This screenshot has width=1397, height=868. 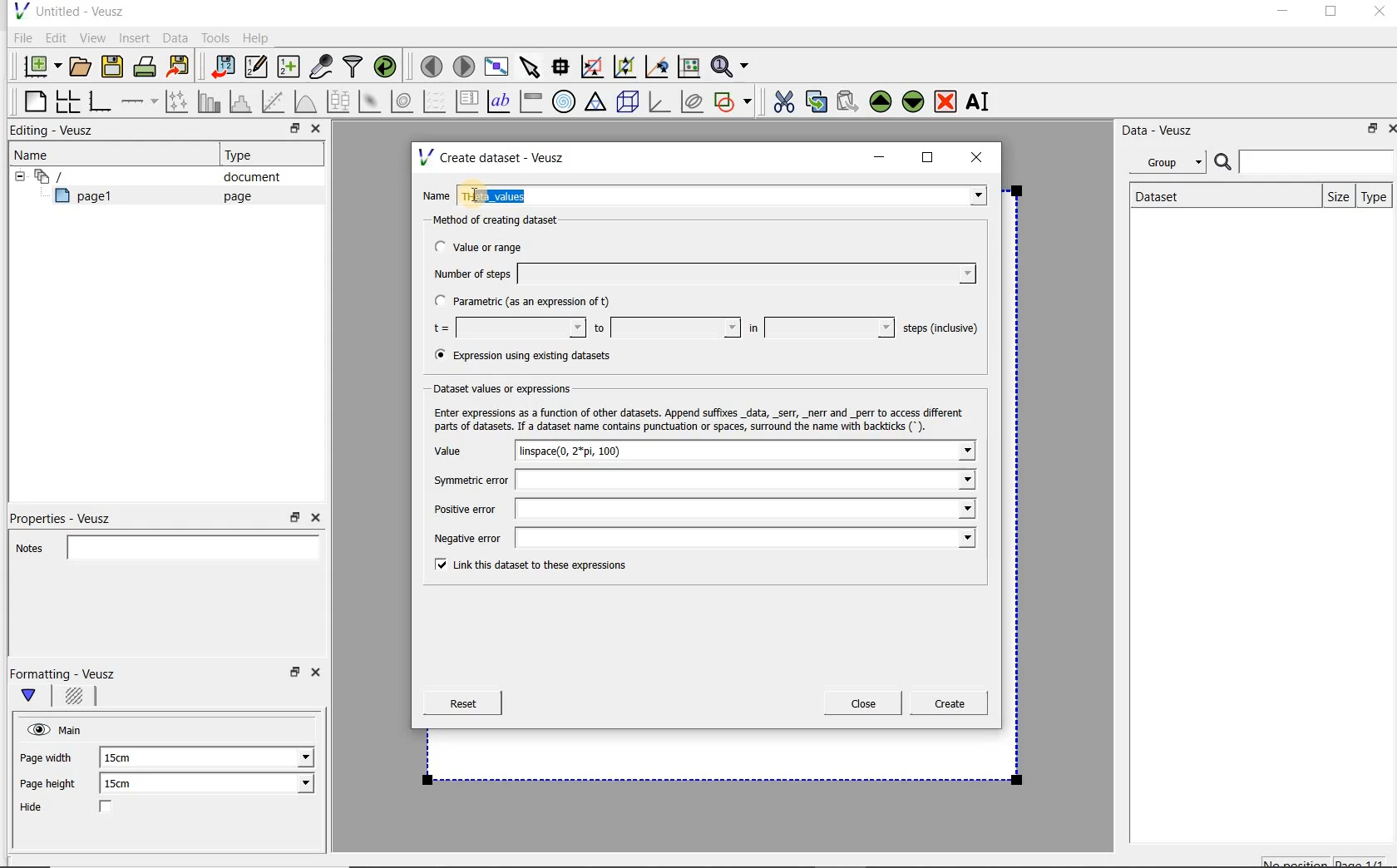 What do you see at coordinates (176, 37) in the screenshot?
I see `Data` at bounding box center [176, 37].